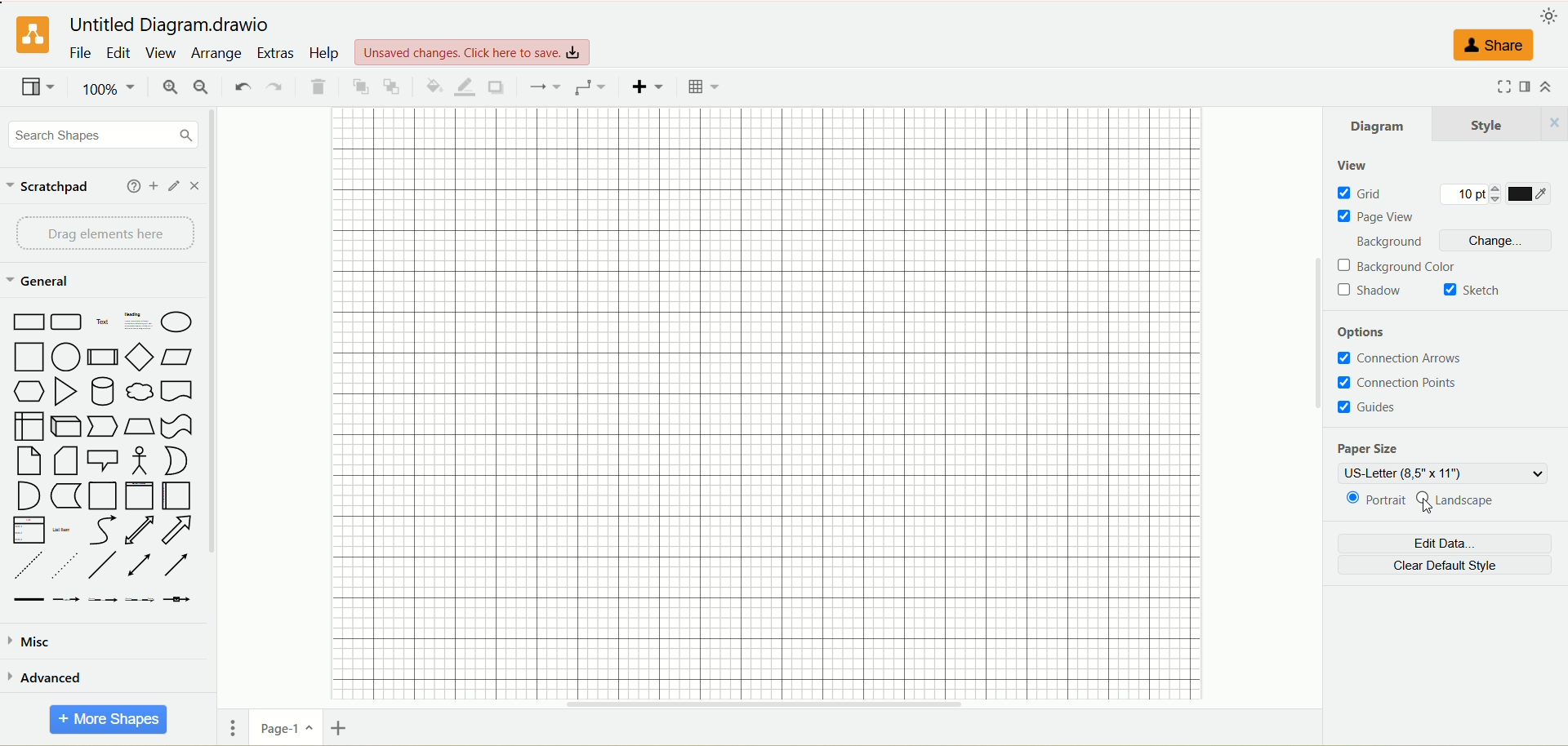 The image size is (1568, 746). What do you see at coordinates (324, 54) in the screenshot?
I see `help` at bounding box center [324, 54].